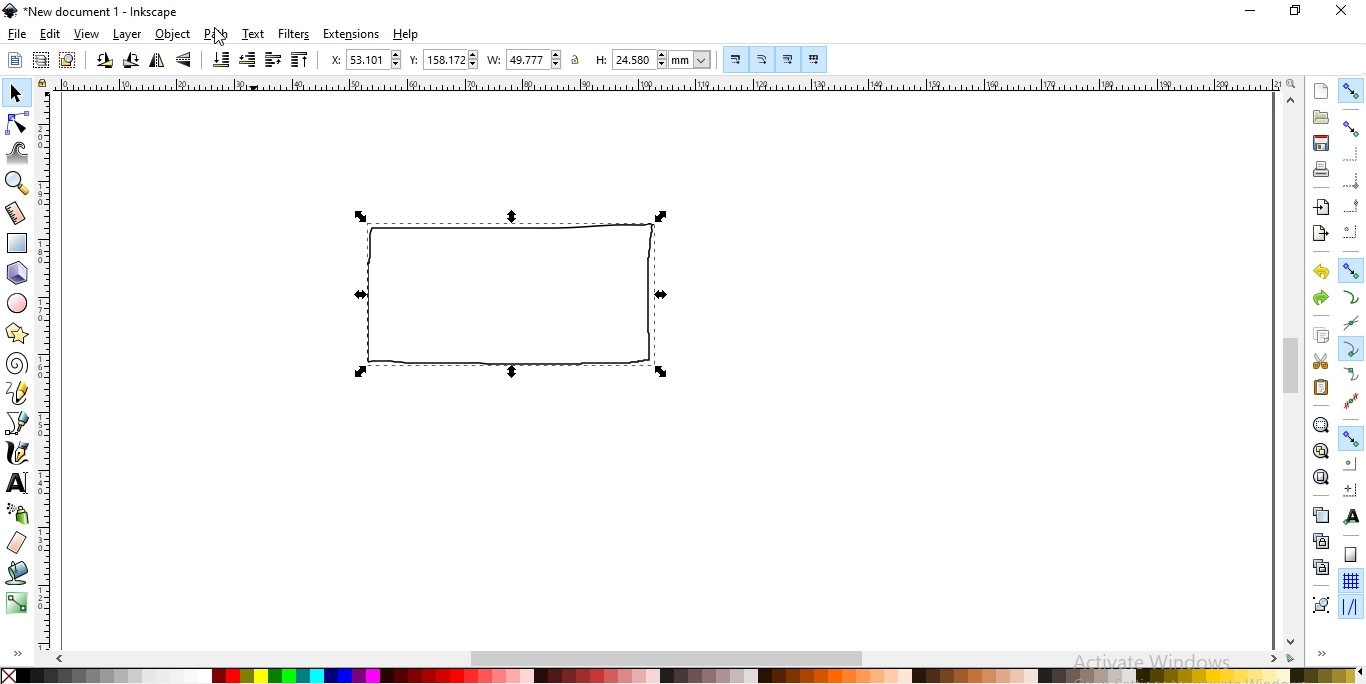  Describe the element at coordinates (18, 364) in the screenshot. I see `create spirals` at that location.